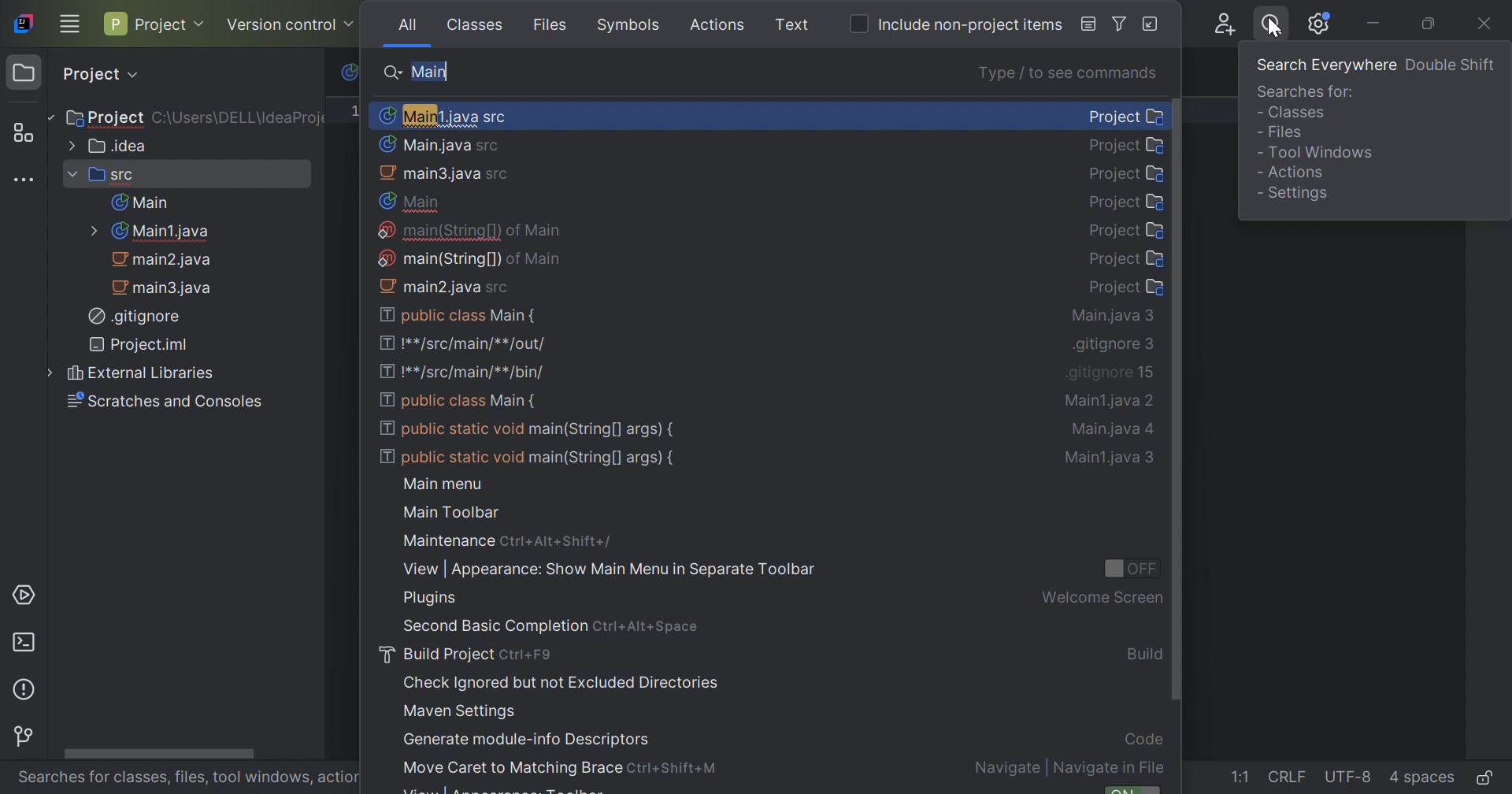 The height and width of the screenshot is (794, 1512). Describe the element at coordinates (102, 75) in the screenshot. I see `Project` at that location.